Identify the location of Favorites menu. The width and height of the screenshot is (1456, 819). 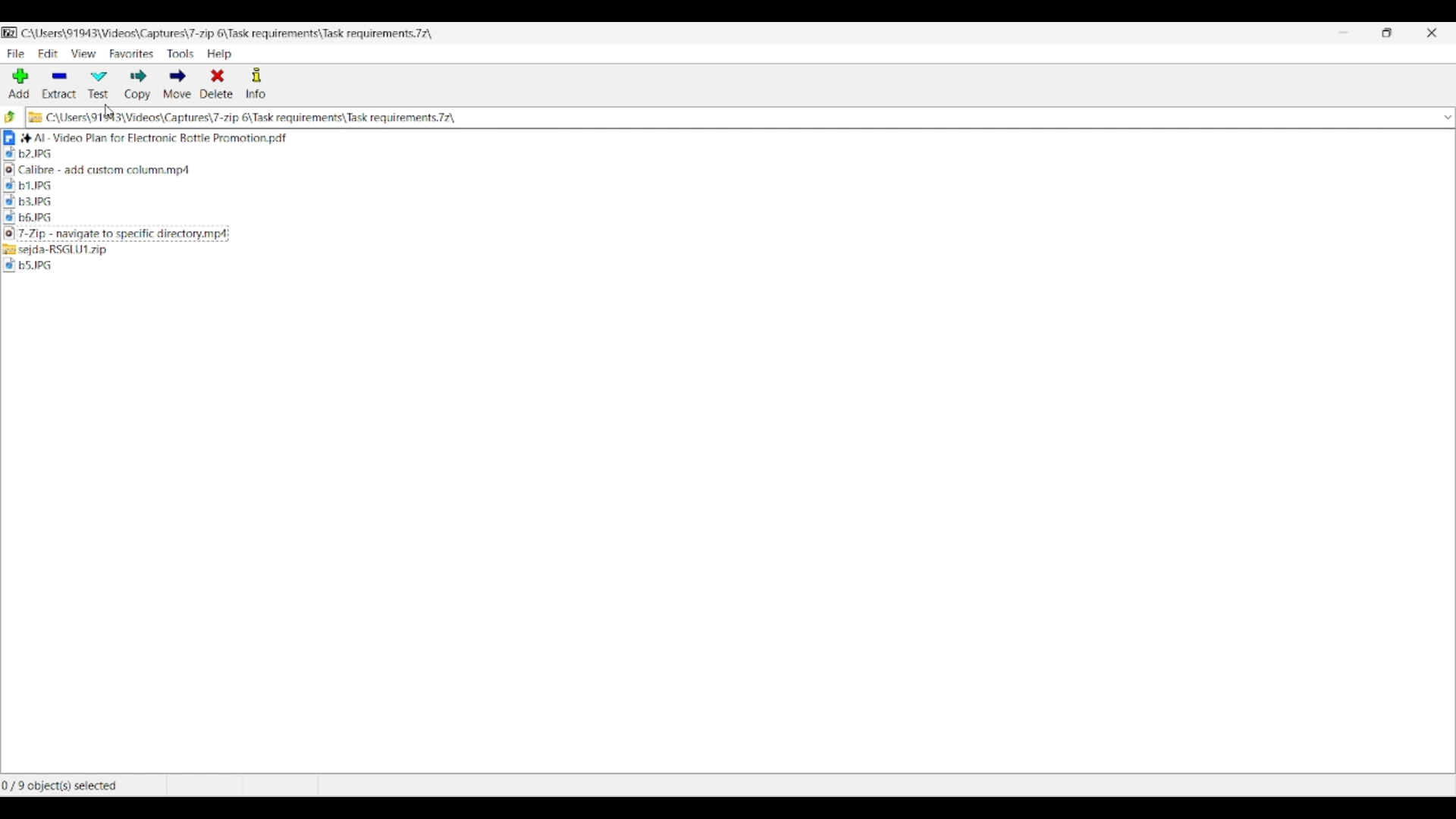
(132, 54).